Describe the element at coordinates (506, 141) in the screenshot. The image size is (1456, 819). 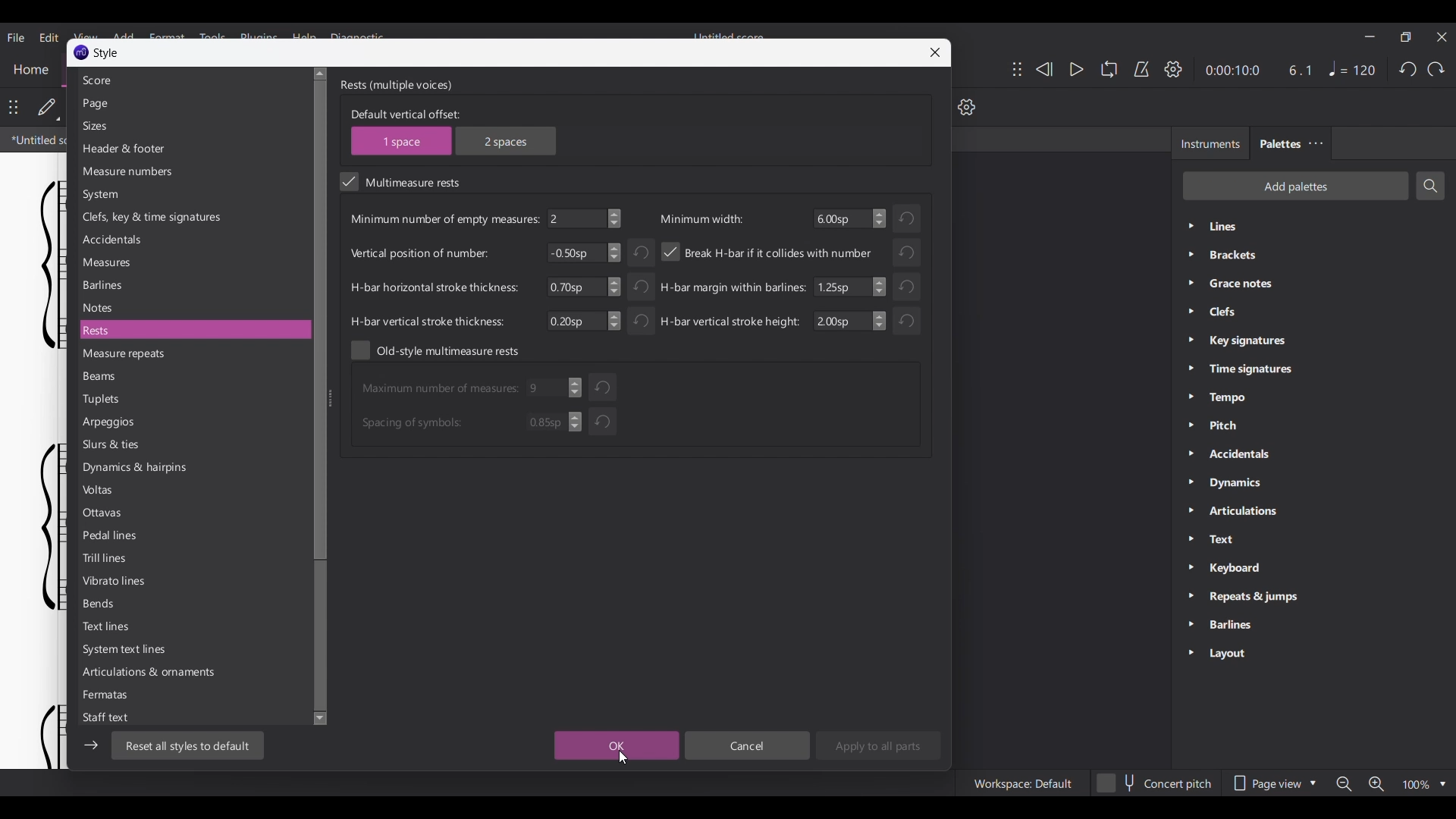
I see `2 spaces vertical offset` at that location.